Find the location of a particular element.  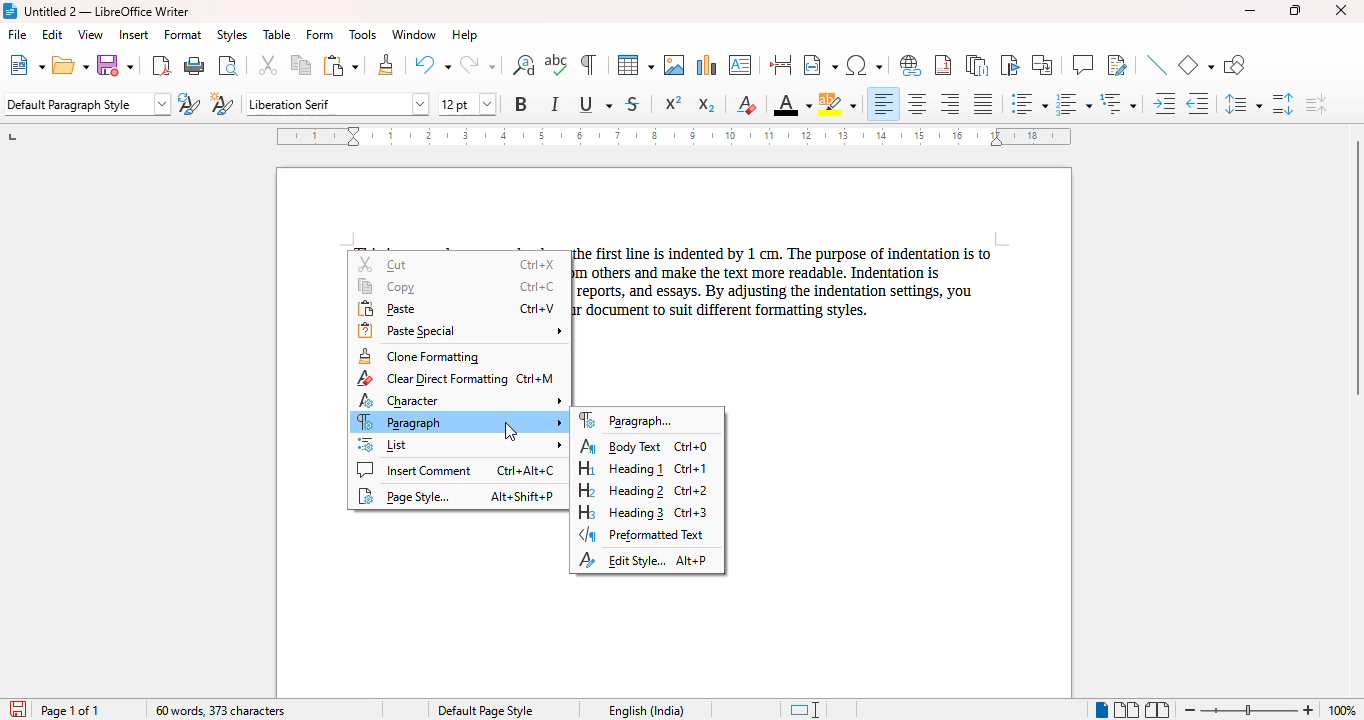

styles is located at coordinates (231, 34).